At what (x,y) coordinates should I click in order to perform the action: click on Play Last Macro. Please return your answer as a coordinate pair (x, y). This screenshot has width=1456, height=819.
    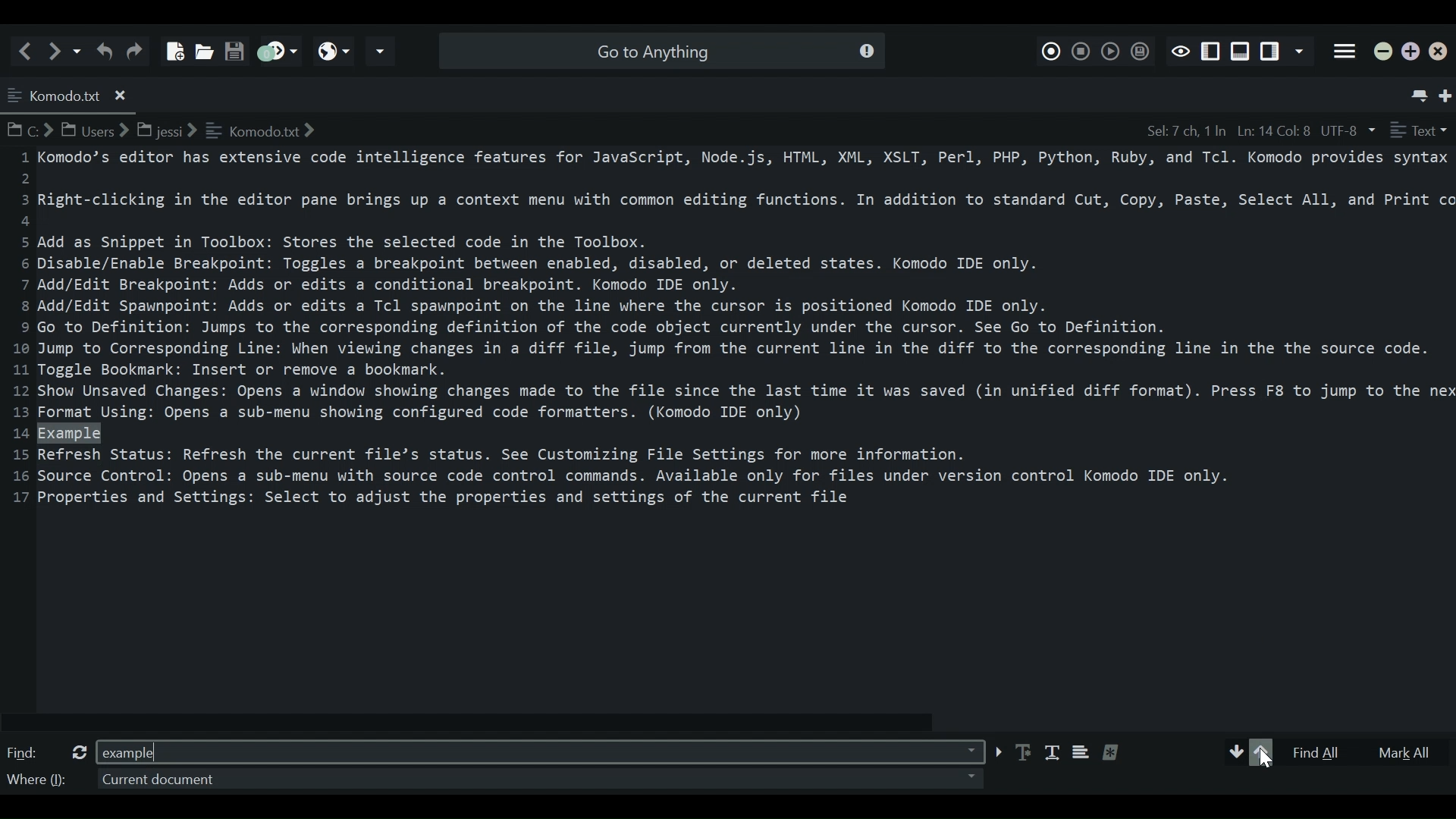
    Looking at the image, I should click on (1109, 50).